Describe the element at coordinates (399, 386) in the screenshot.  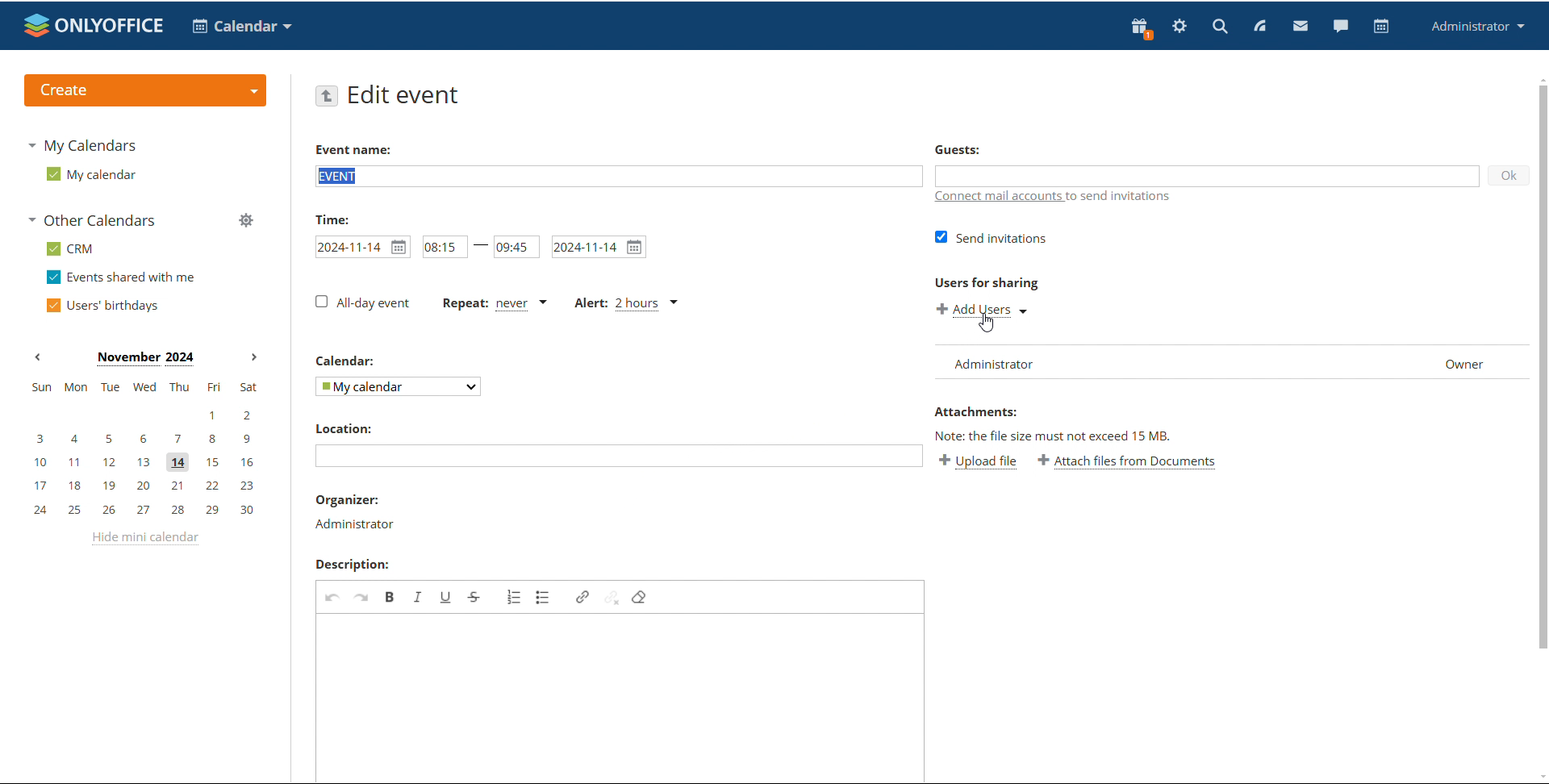
I see `select calendar` at that location.